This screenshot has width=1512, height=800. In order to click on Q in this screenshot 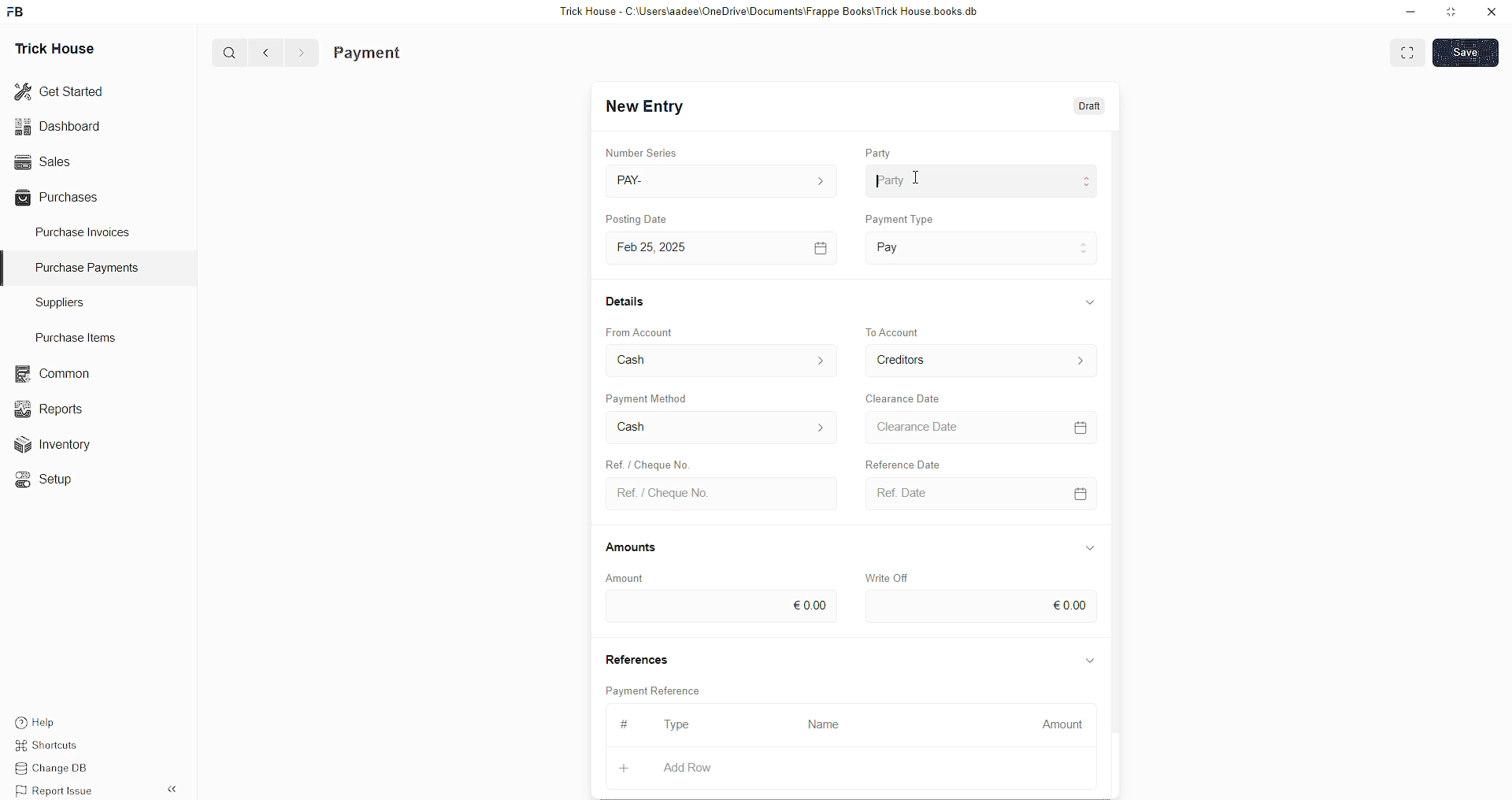, I will do `click(224, 51)`.